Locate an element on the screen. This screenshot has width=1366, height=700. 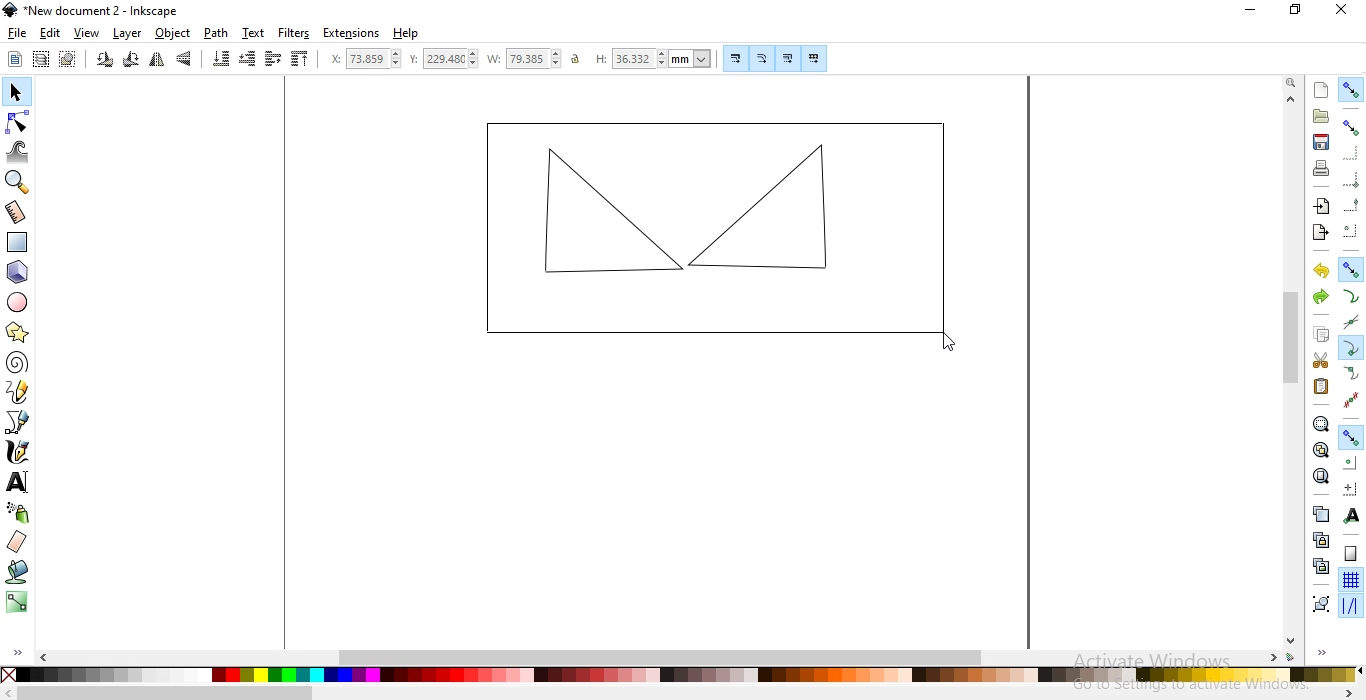
rotate 90 clockwise is located at coordinates (130, 60).